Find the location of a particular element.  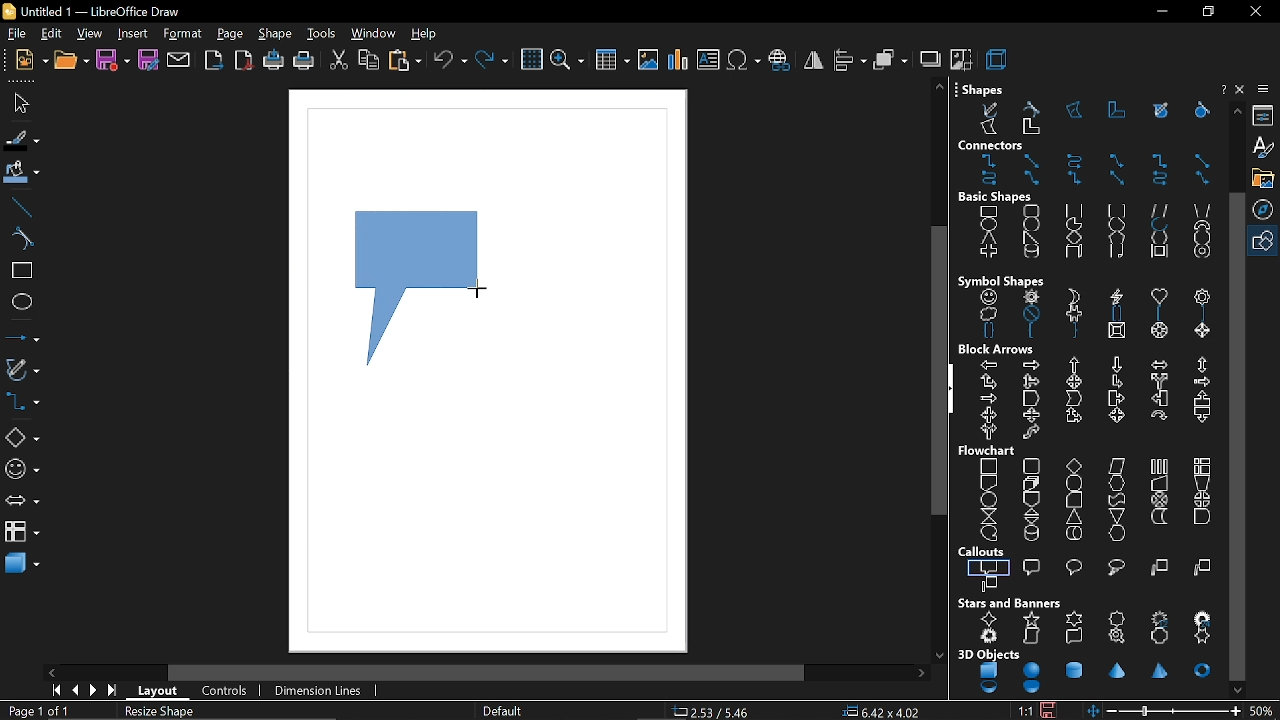

navigation is located at coordinates (1266, 208).